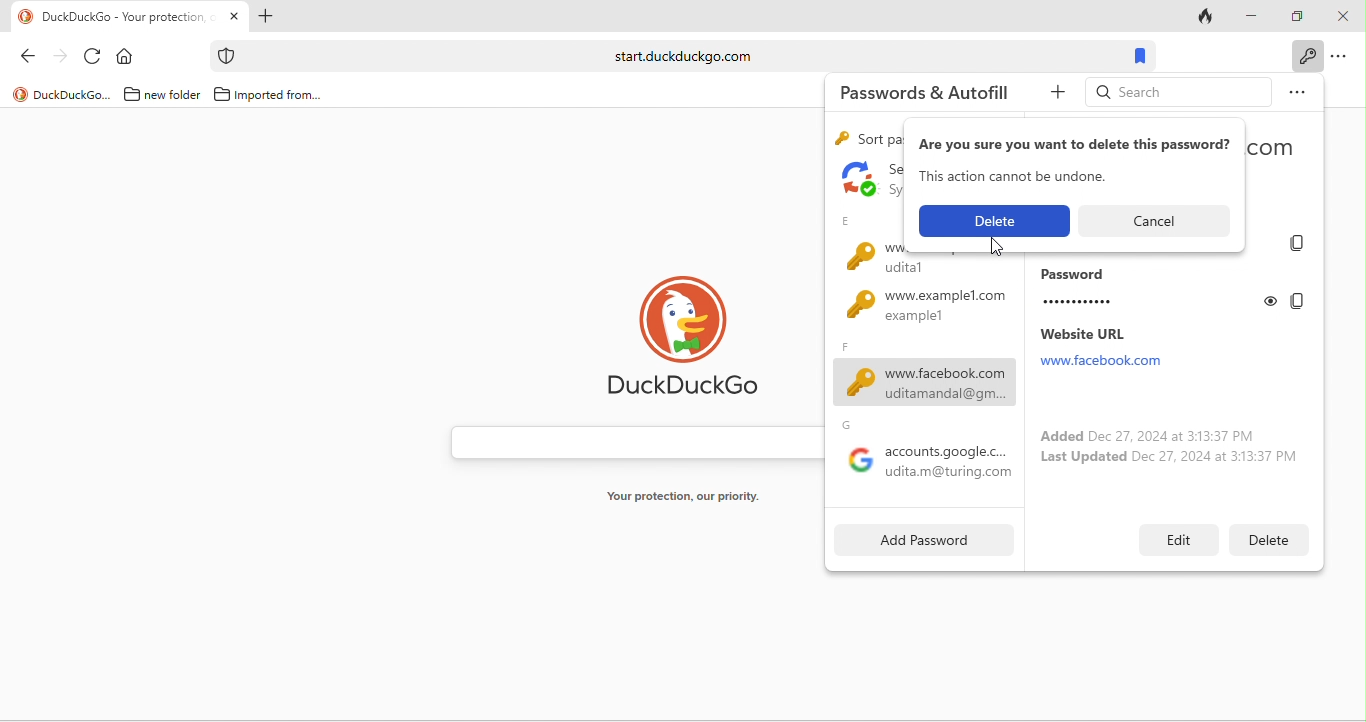  I want to click on password and autofill, so click(924, 93).